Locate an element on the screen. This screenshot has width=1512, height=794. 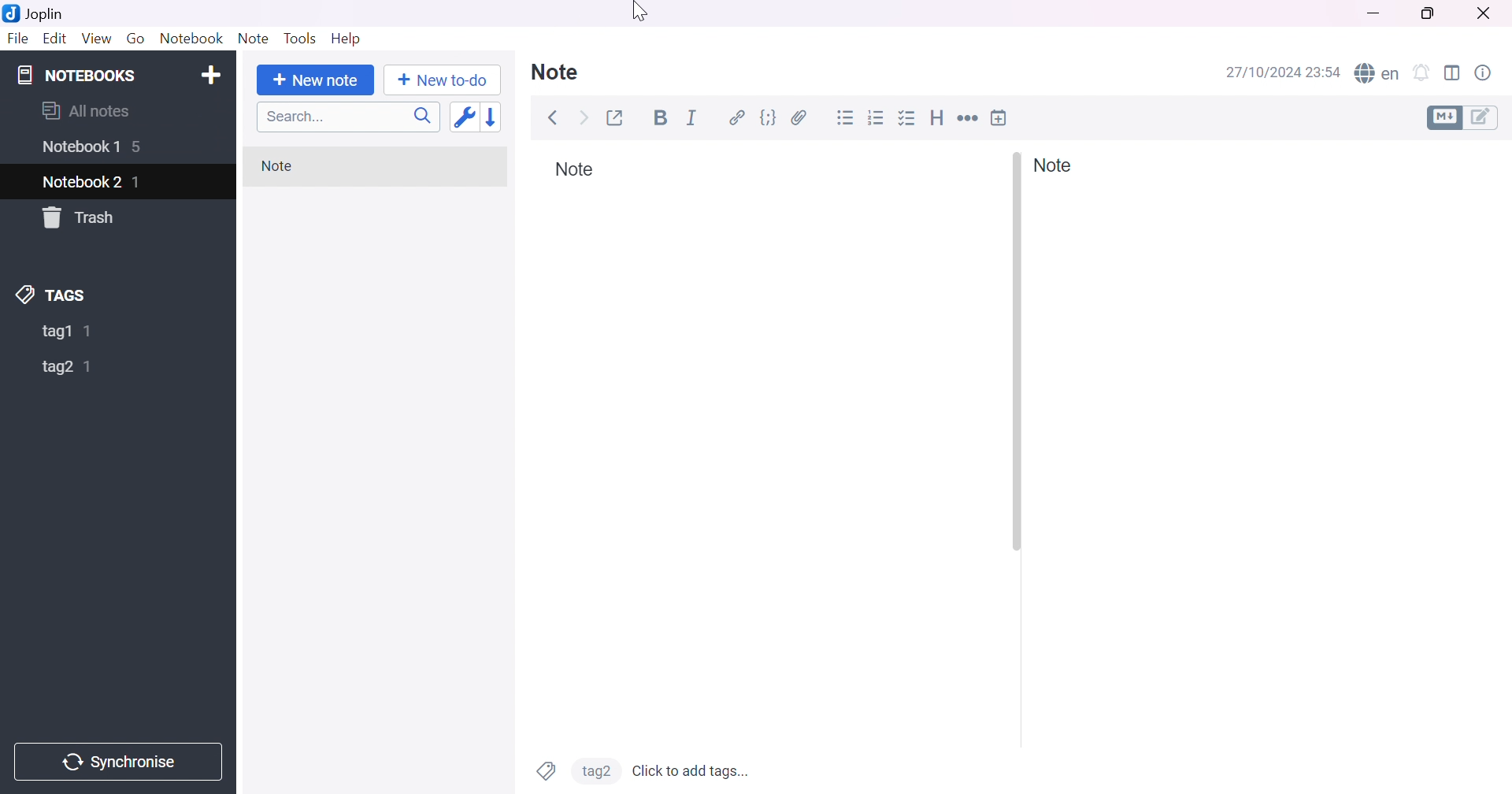
Cursor is located at coordinates (639, 13).